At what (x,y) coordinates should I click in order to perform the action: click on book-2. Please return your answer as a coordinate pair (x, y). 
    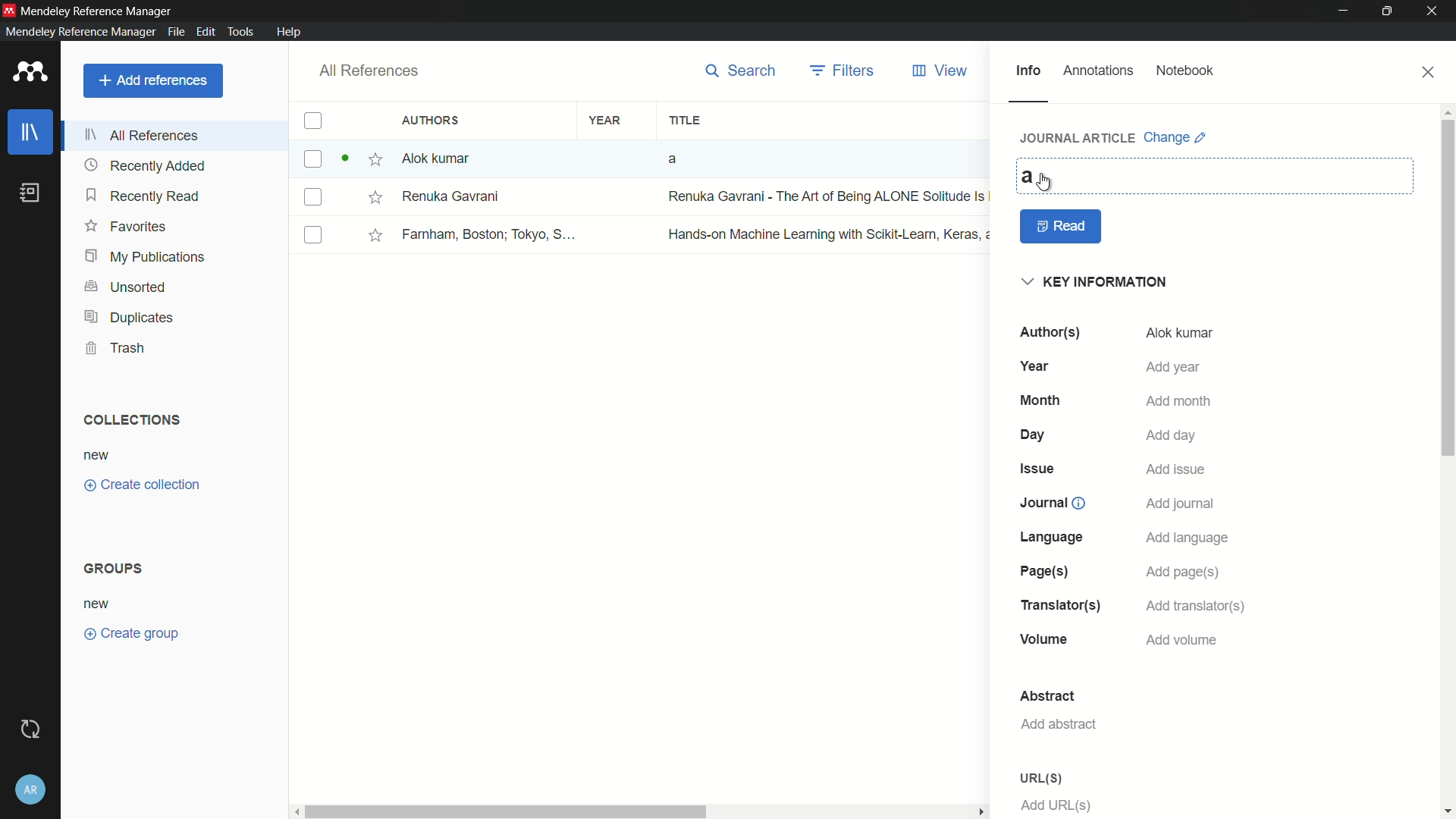
    Looking at the image, I should click on (644, 197).